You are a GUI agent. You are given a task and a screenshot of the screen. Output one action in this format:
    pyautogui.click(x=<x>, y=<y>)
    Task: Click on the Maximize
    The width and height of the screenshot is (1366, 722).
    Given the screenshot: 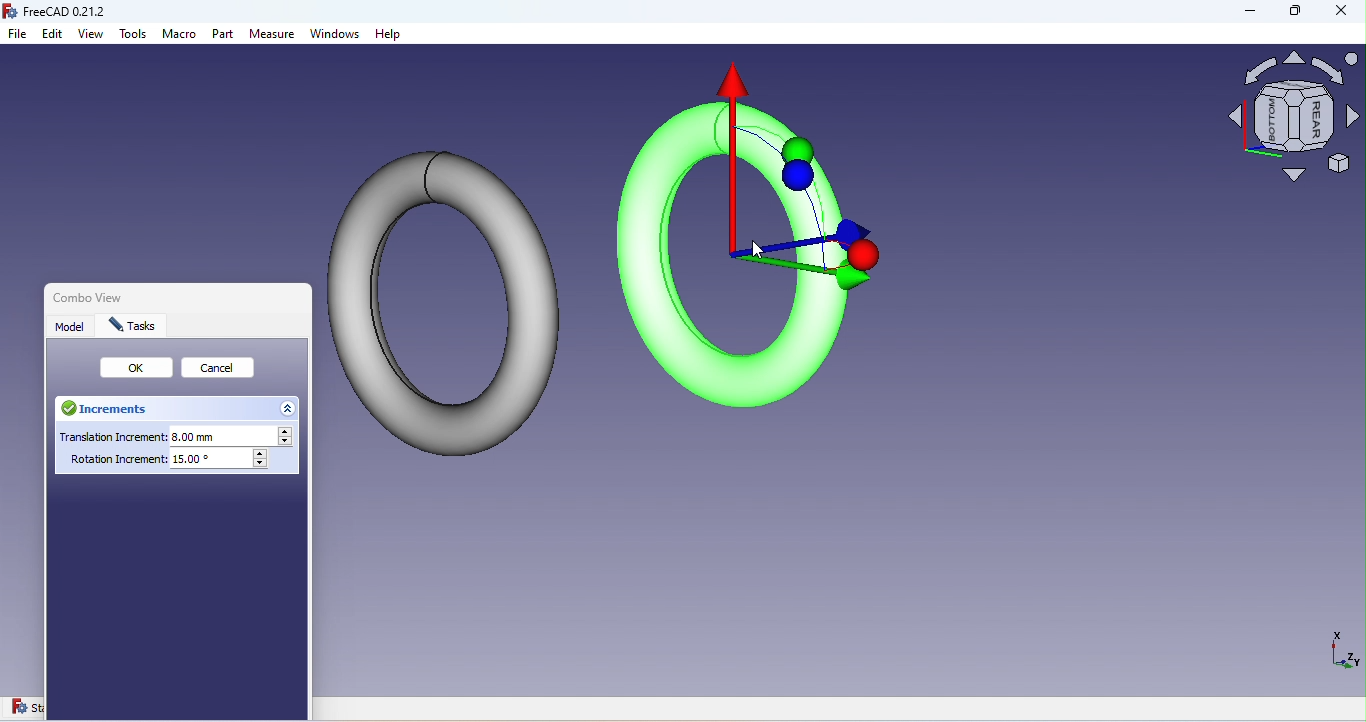 What is the action you would take?
    pyautogui.click(x=1293, y=15)
    